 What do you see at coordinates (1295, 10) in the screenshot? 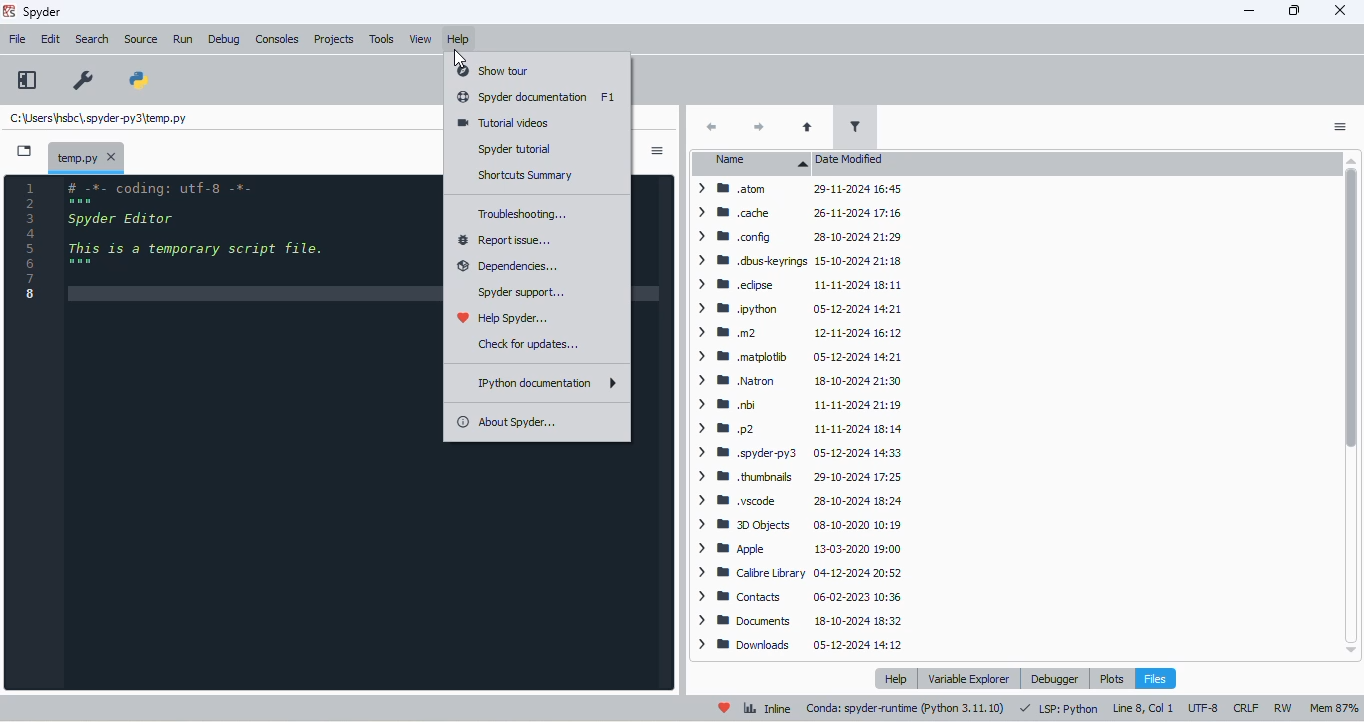
I see `maximize` at bounding box center [1295, 10].